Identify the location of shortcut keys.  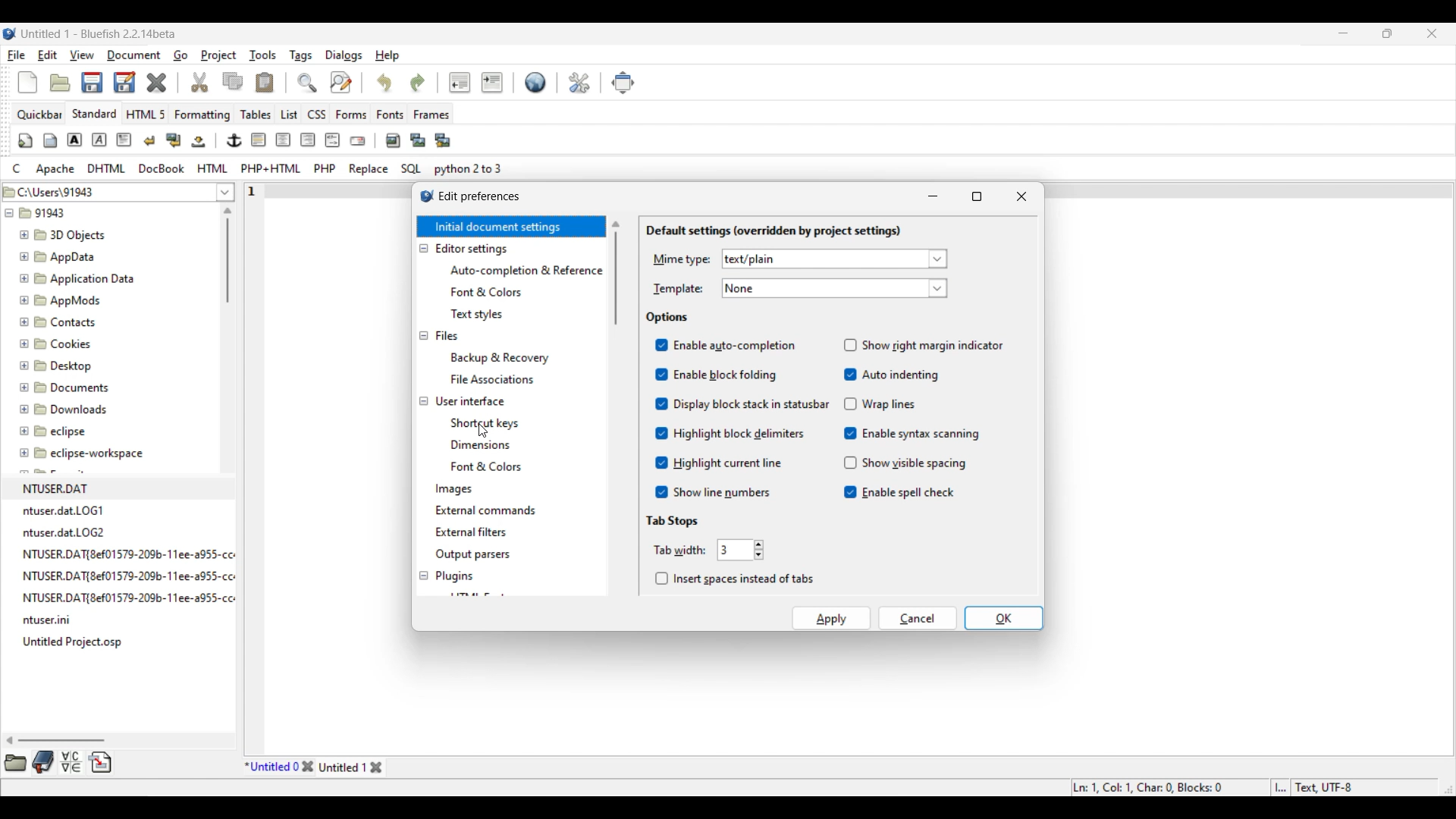
(488, 421).